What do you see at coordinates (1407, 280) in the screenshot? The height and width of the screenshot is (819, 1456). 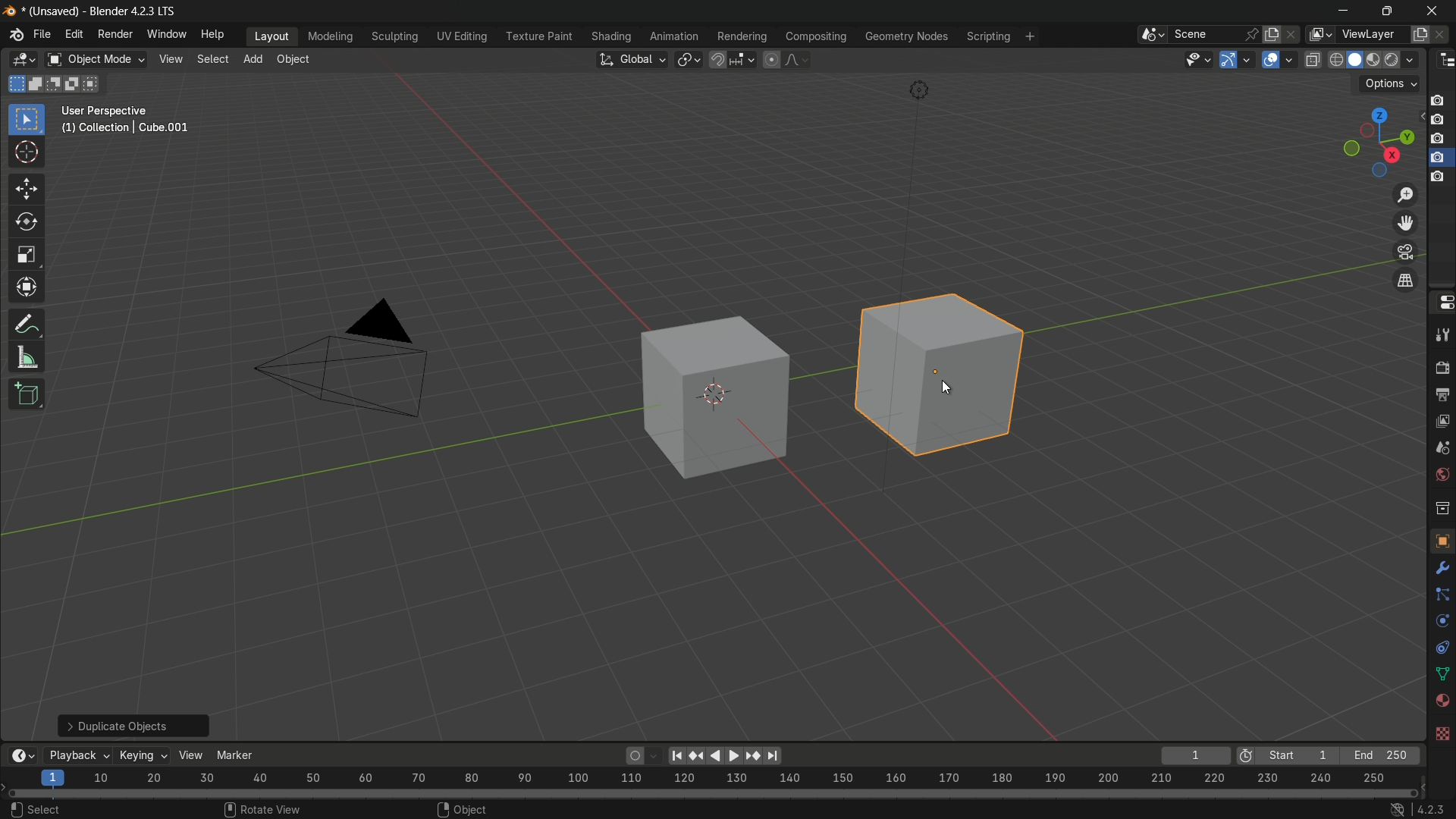 I see `switch view` at bounding box center [1407, 280].